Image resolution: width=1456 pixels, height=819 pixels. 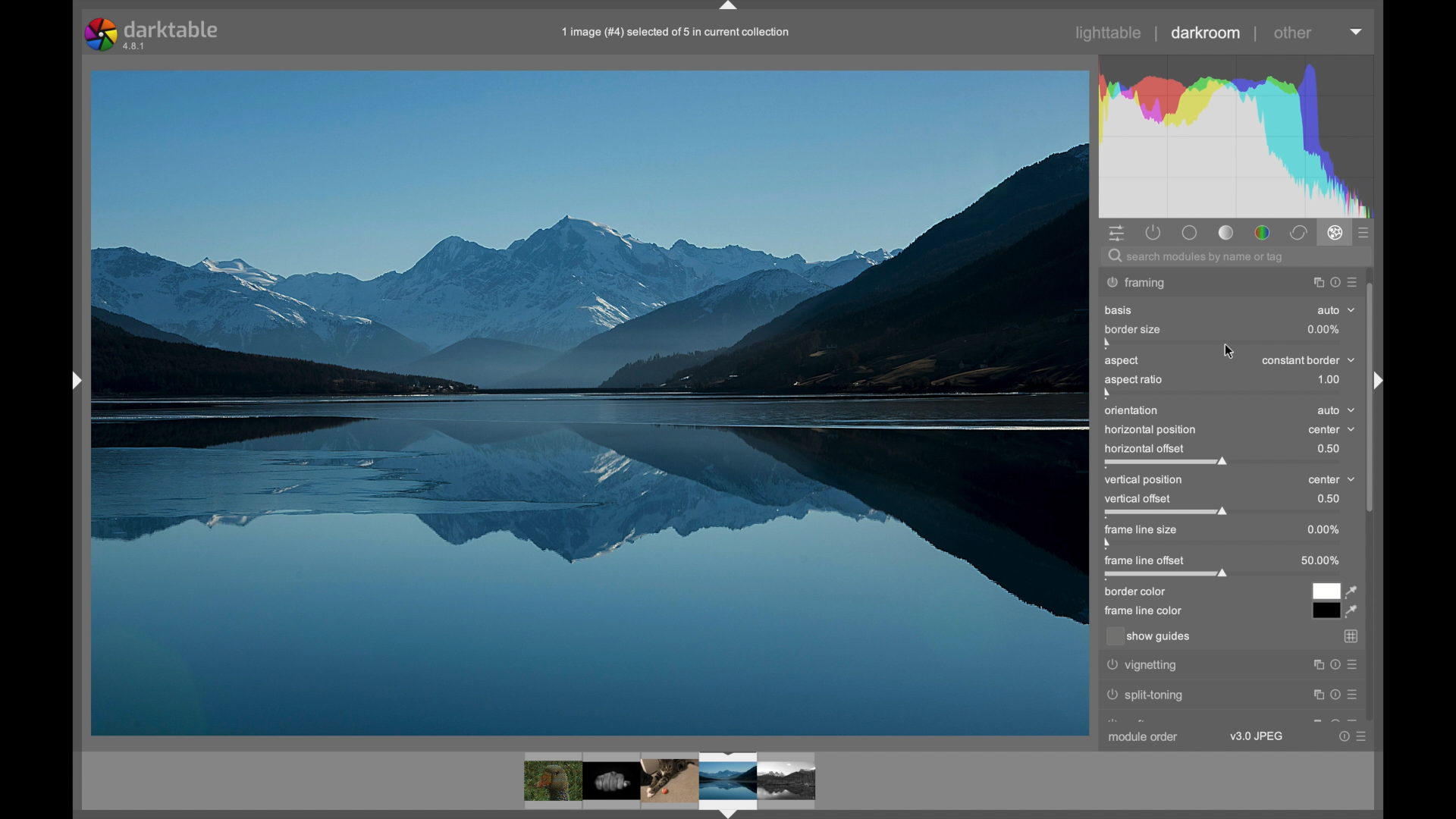 I want to click on vertical position, so click(x=1145, y=481).